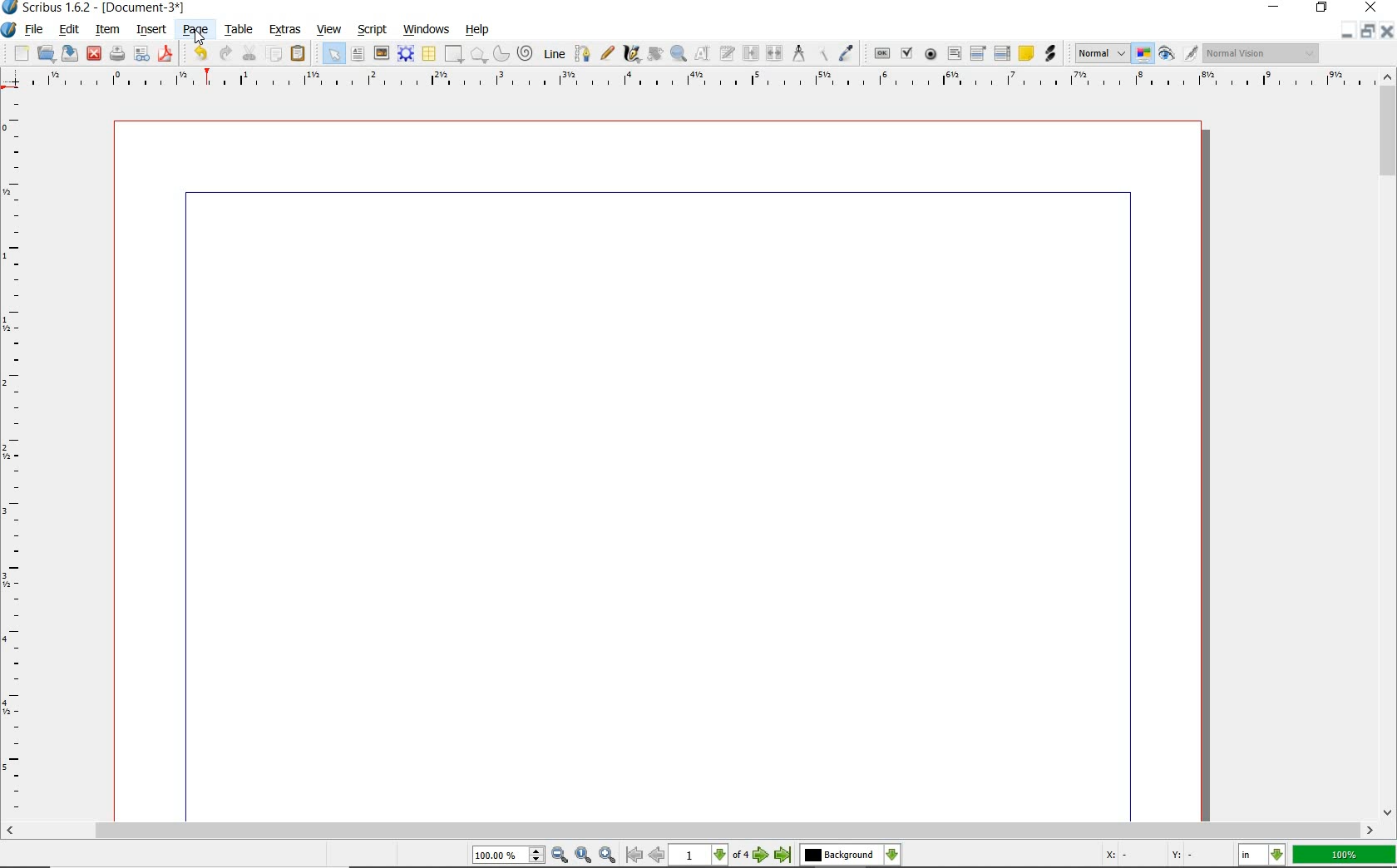 This screenshot has width=1397, height=868. What do you see at coordinates (67, 28) in the screenshot?
I see `edit` at bounding box center [67, 28].